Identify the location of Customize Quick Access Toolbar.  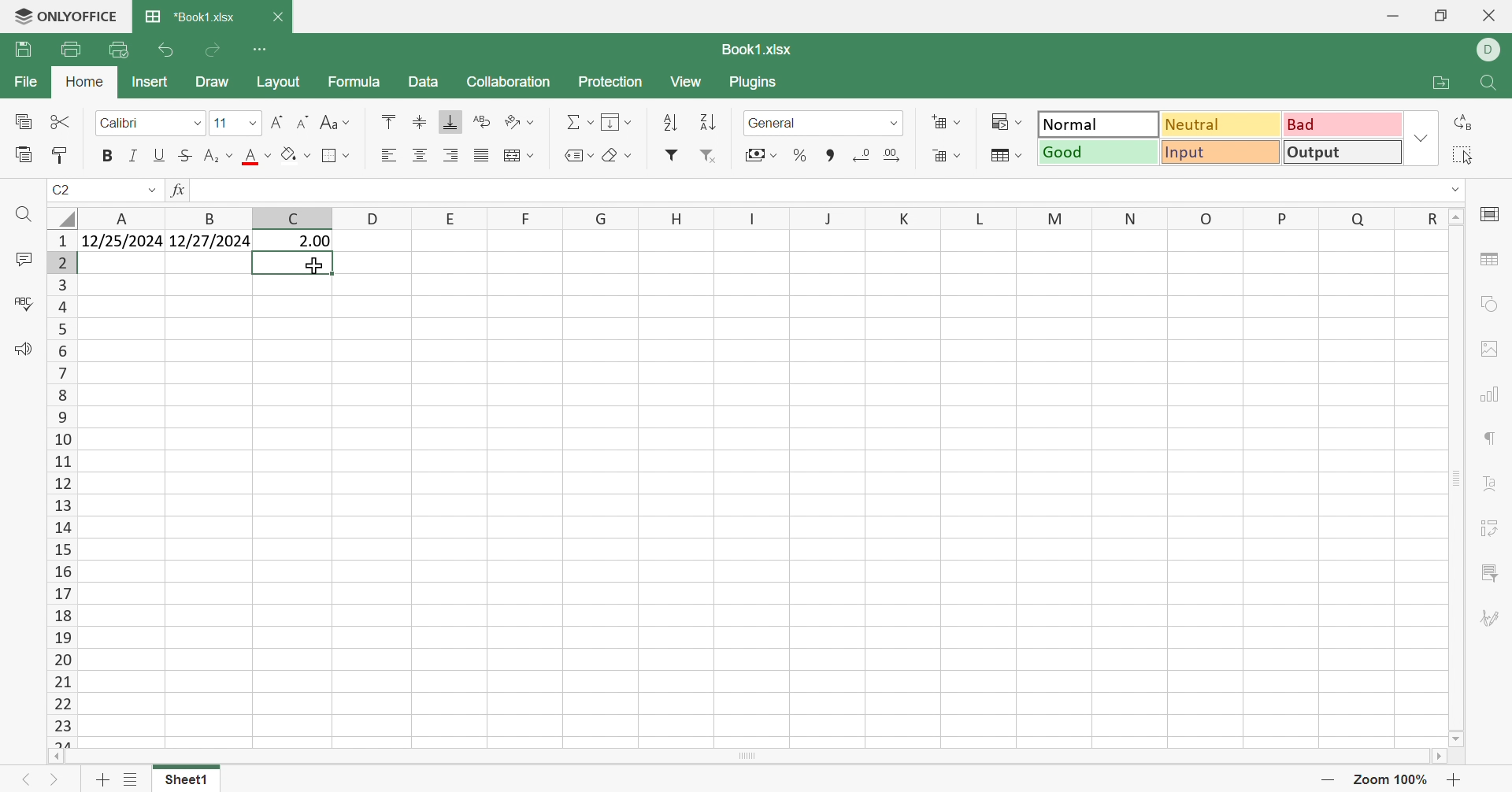
(261, 49).